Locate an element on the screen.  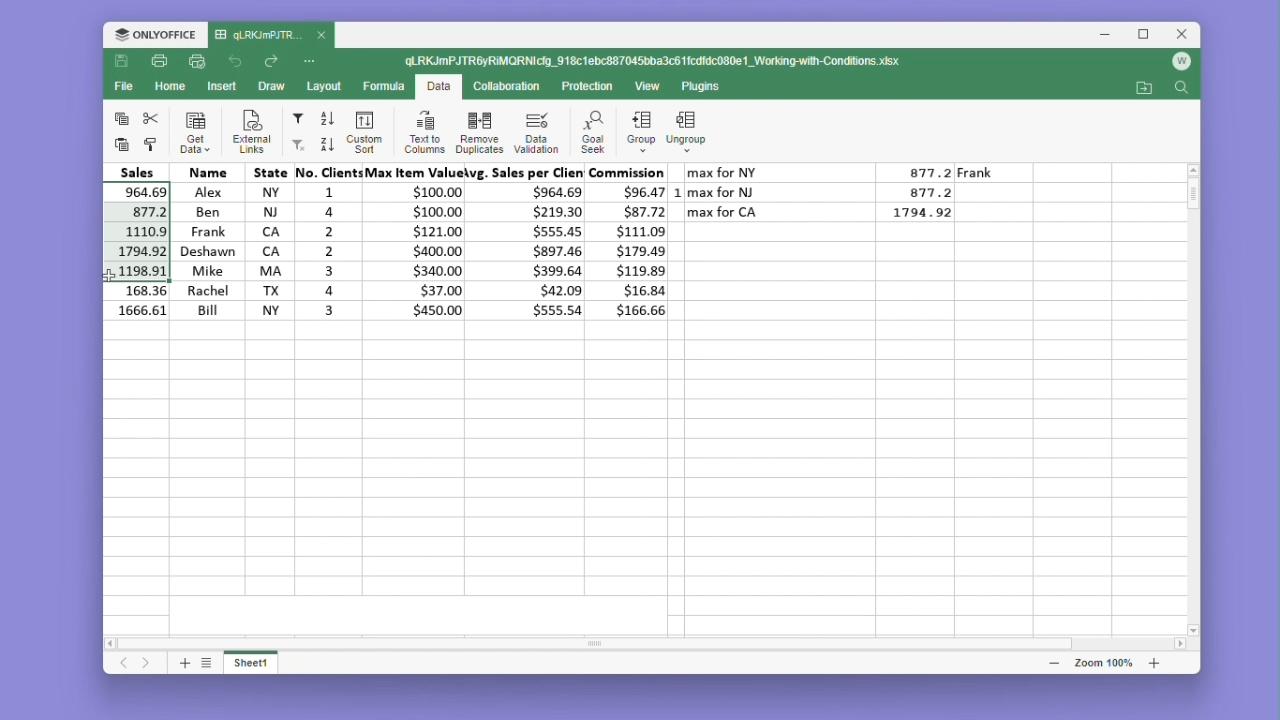
Draw is located at coordinates (270, 87).